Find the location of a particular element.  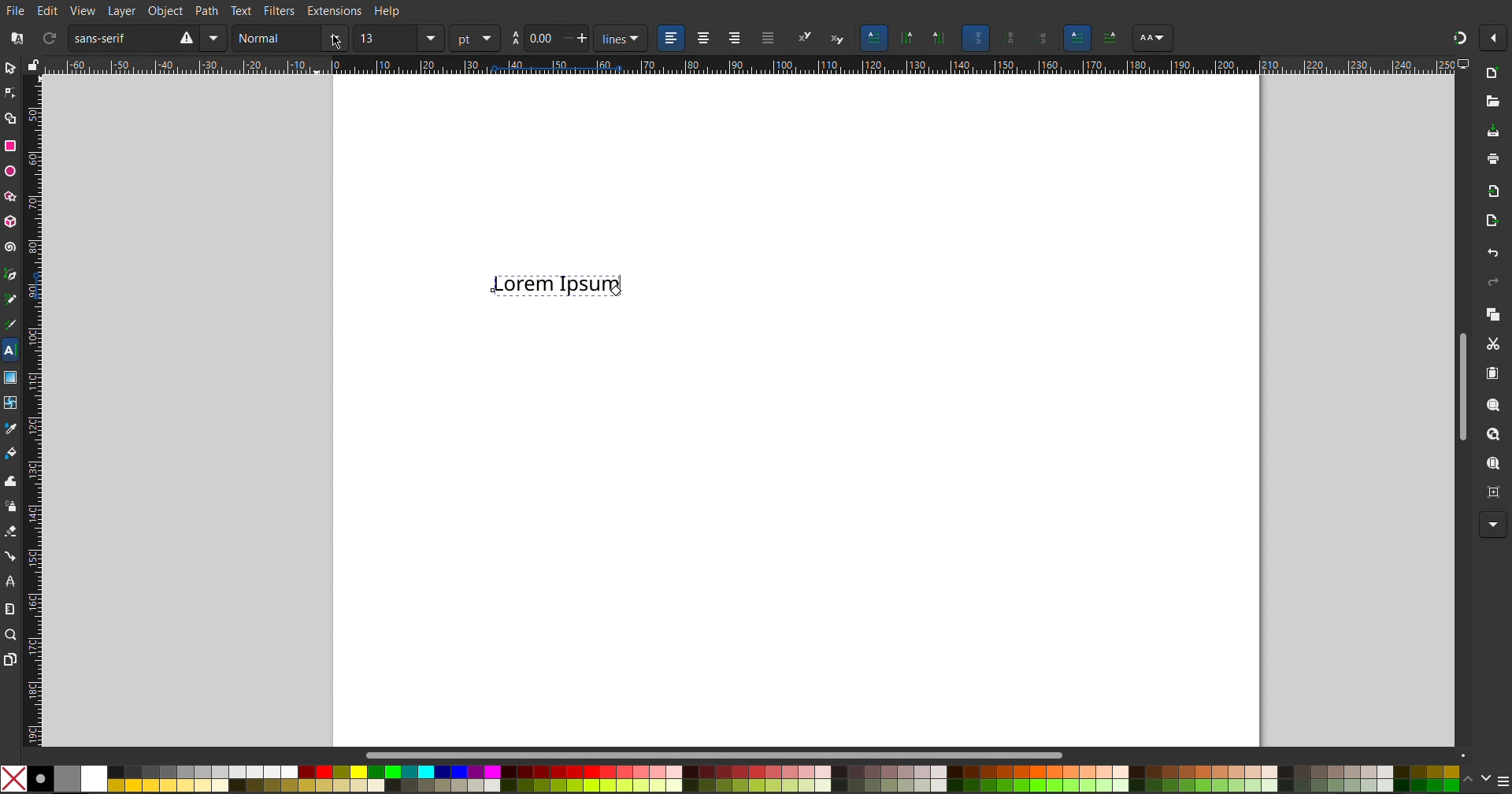

Select is located at coordinates (10, 70).